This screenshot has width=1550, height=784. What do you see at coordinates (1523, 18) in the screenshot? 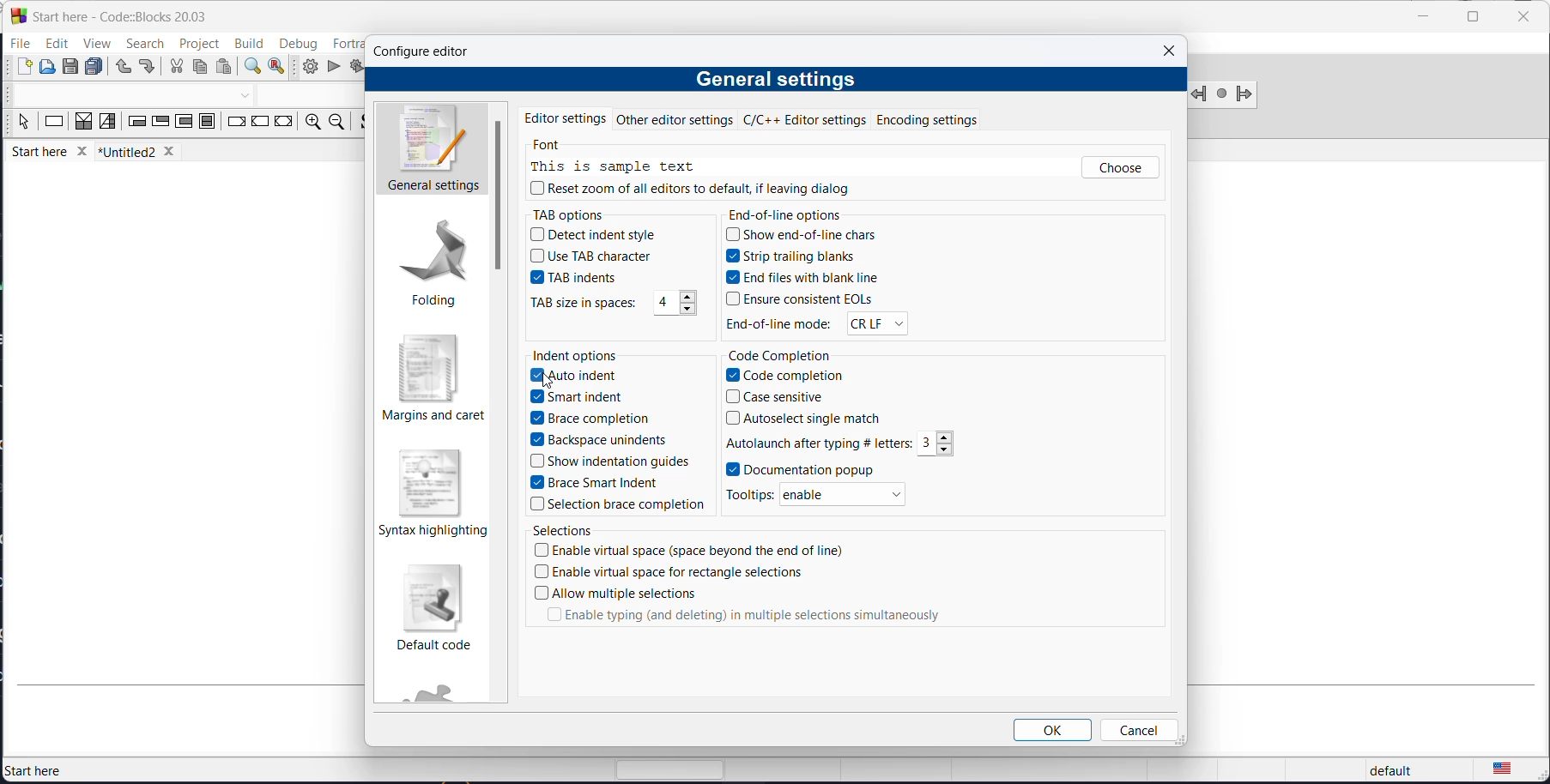
I see `close` at bounding box center [1523, 18].